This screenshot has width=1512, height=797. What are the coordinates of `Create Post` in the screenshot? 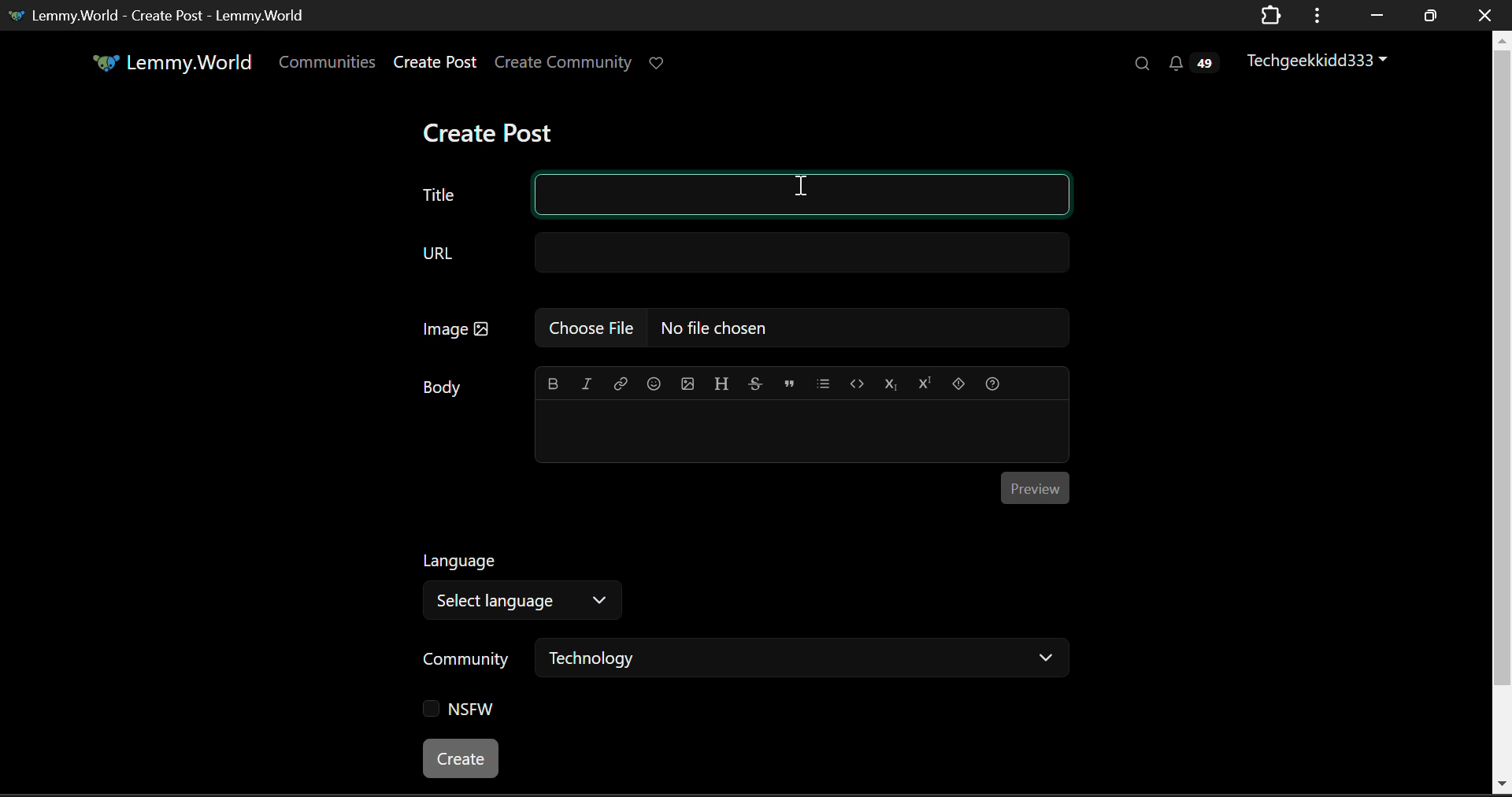 It's located at (492, 129).